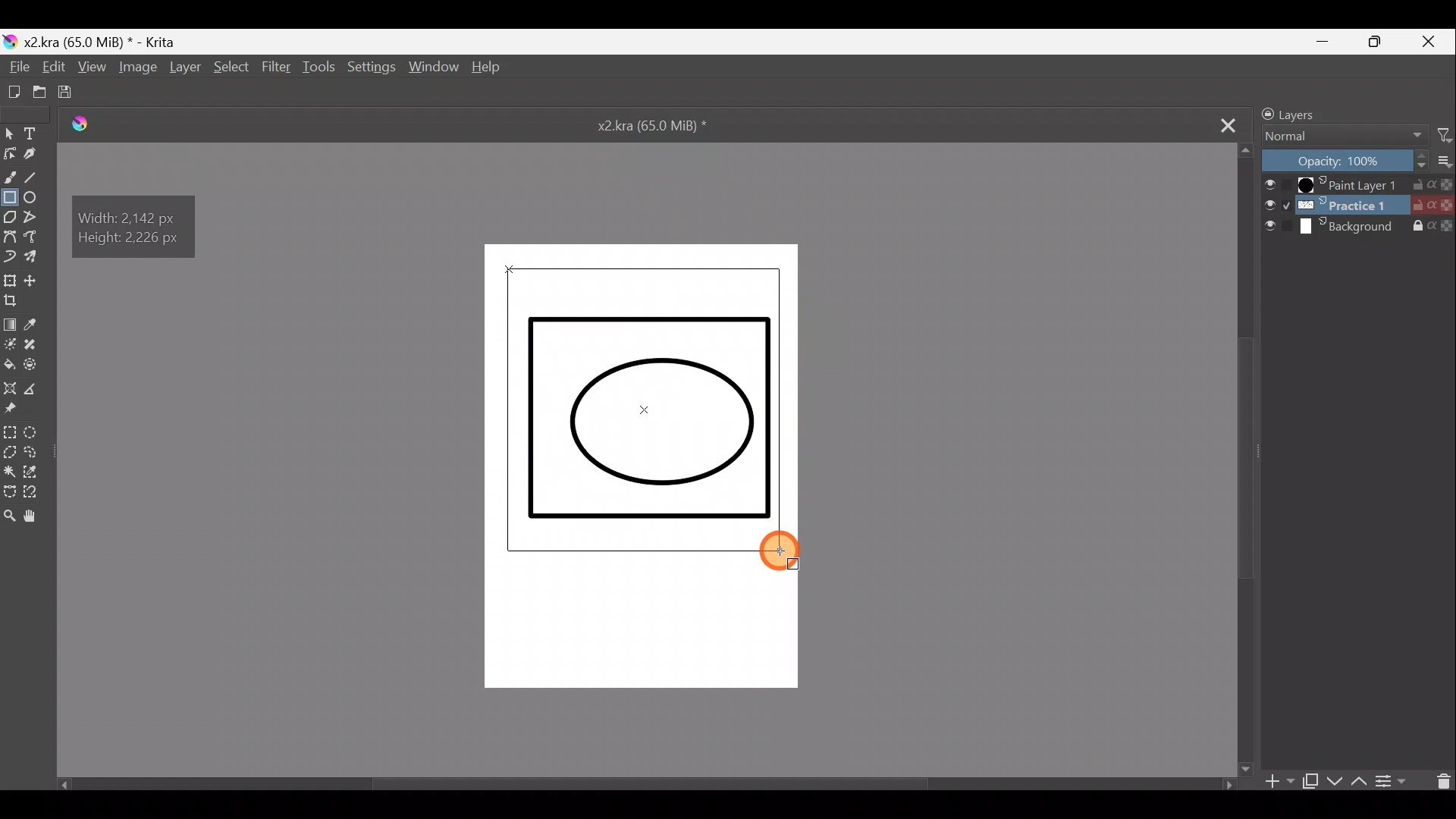 The image size is (1456, 819). Describe the element at coordinates (1318, 111) in the screenshot. I see `Layers` at that location.